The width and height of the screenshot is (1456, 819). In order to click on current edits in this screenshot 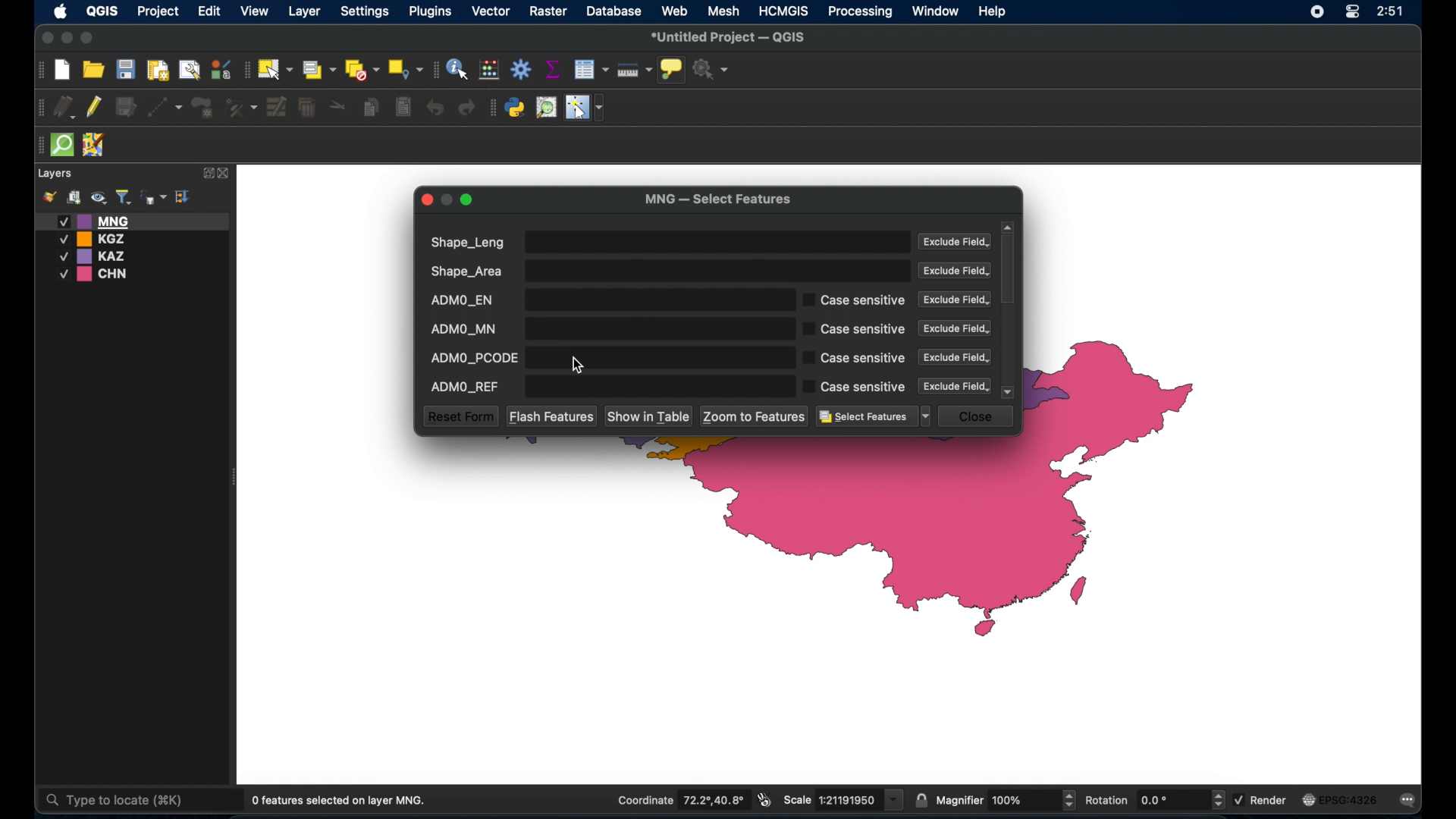, I will do `click(64, 106)`.